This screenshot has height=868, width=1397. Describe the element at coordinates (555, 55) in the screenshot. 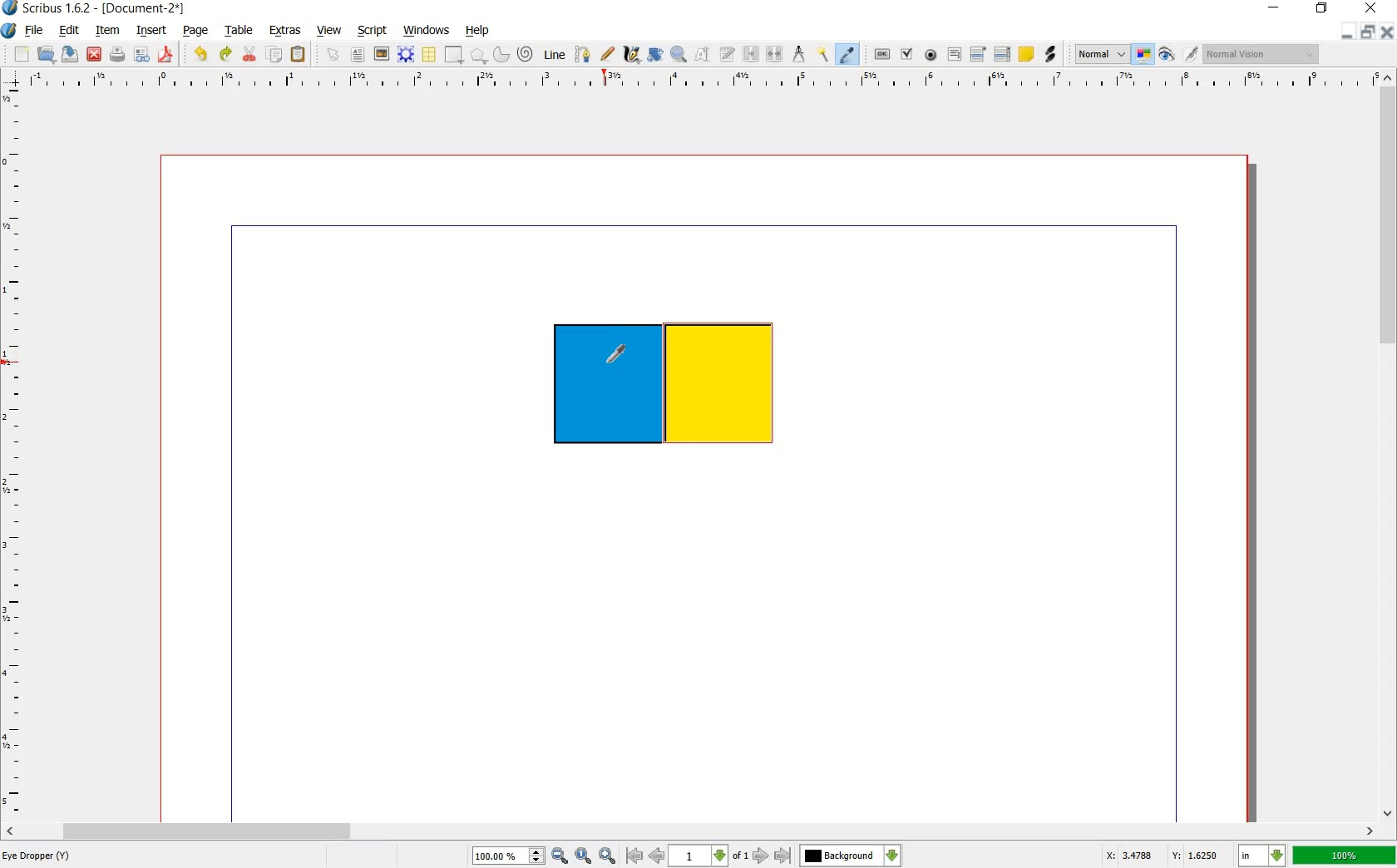

I see `line` at that location.